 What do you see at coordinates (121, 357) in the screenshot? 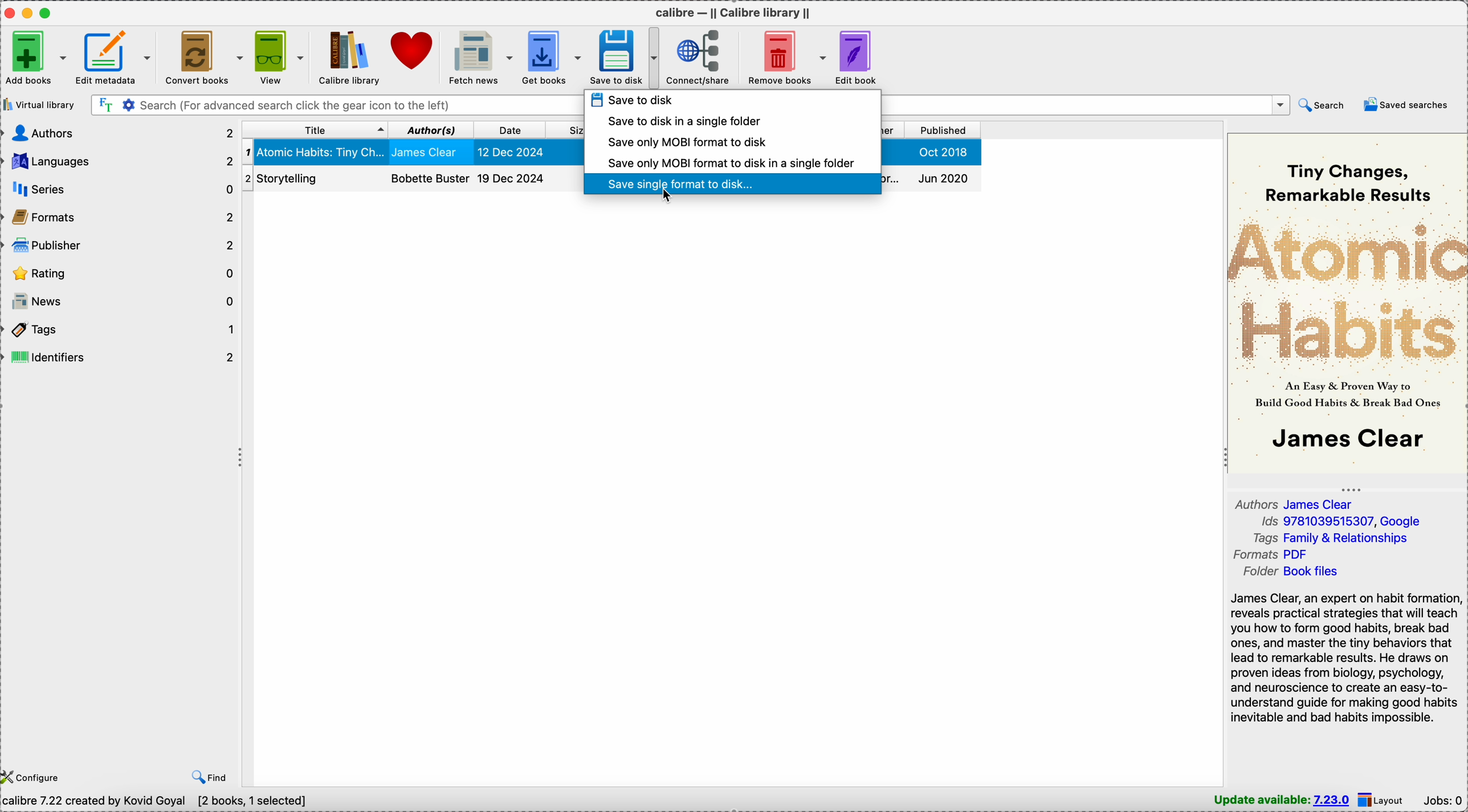
I see `identifiers` at bounding box center [121, 357].